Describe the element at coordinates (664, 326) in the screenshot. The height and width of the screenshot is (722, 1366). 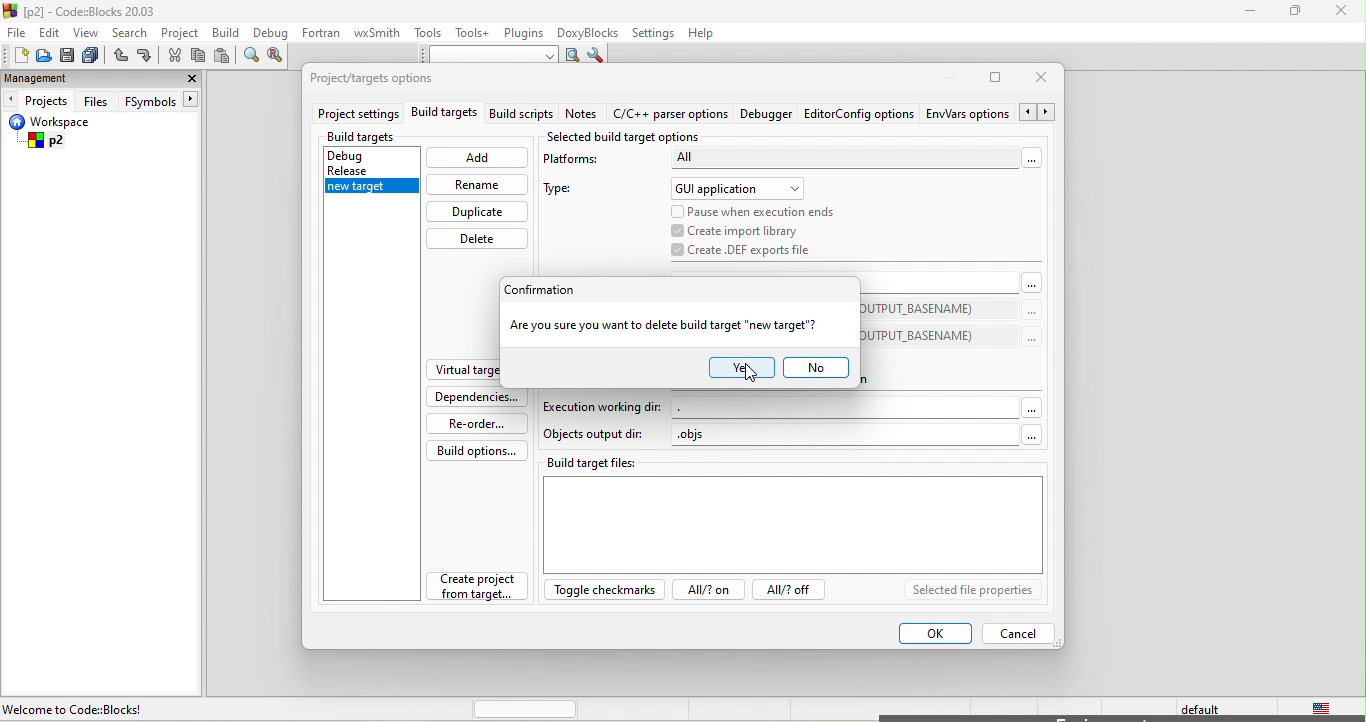
I see `are you sure you want to delete build target new target?` at that location.